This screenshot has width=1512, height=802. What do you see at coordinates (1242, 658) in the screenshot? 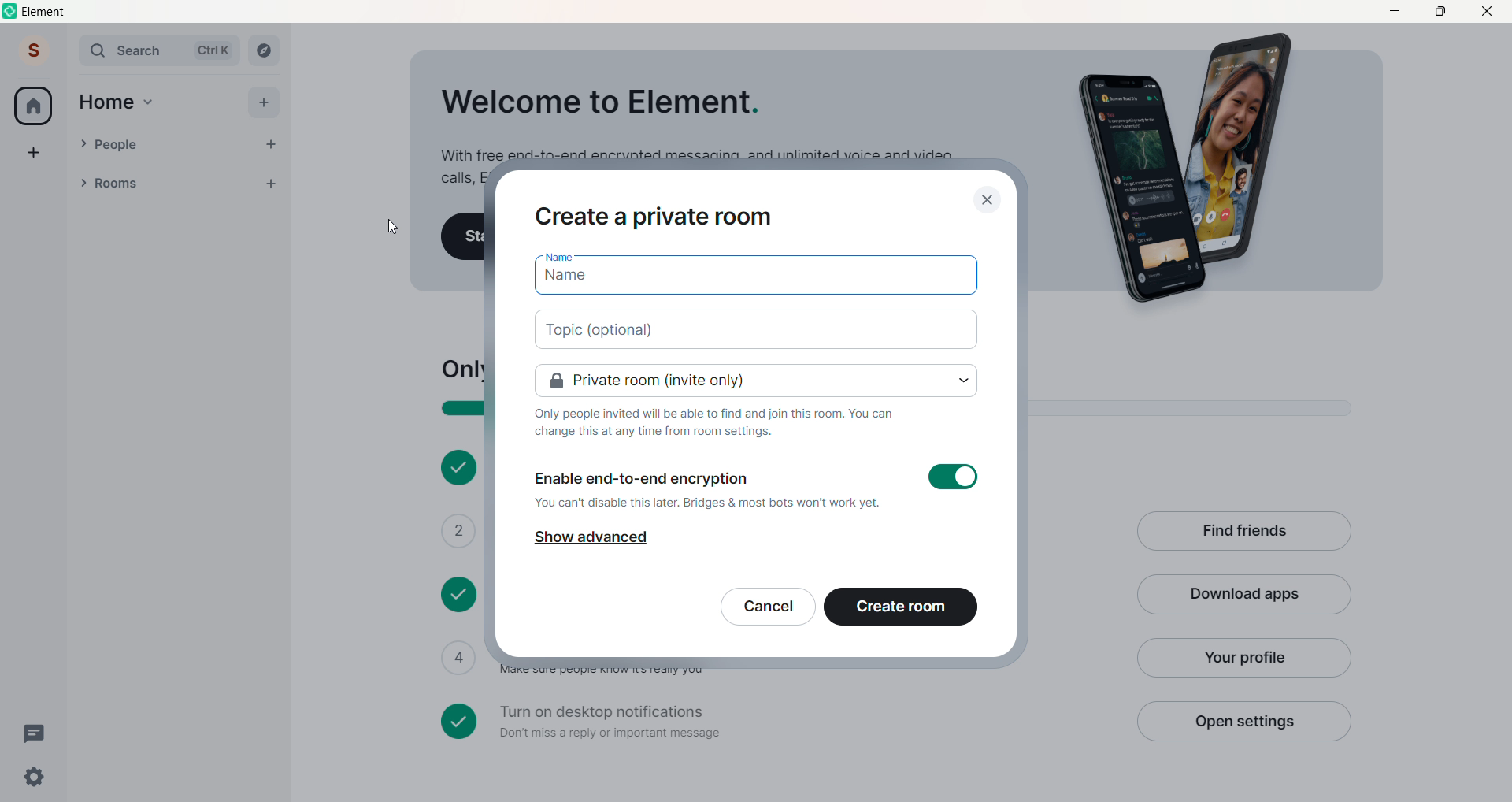
I see `Your Profile` at bounding box center [1242, 658].